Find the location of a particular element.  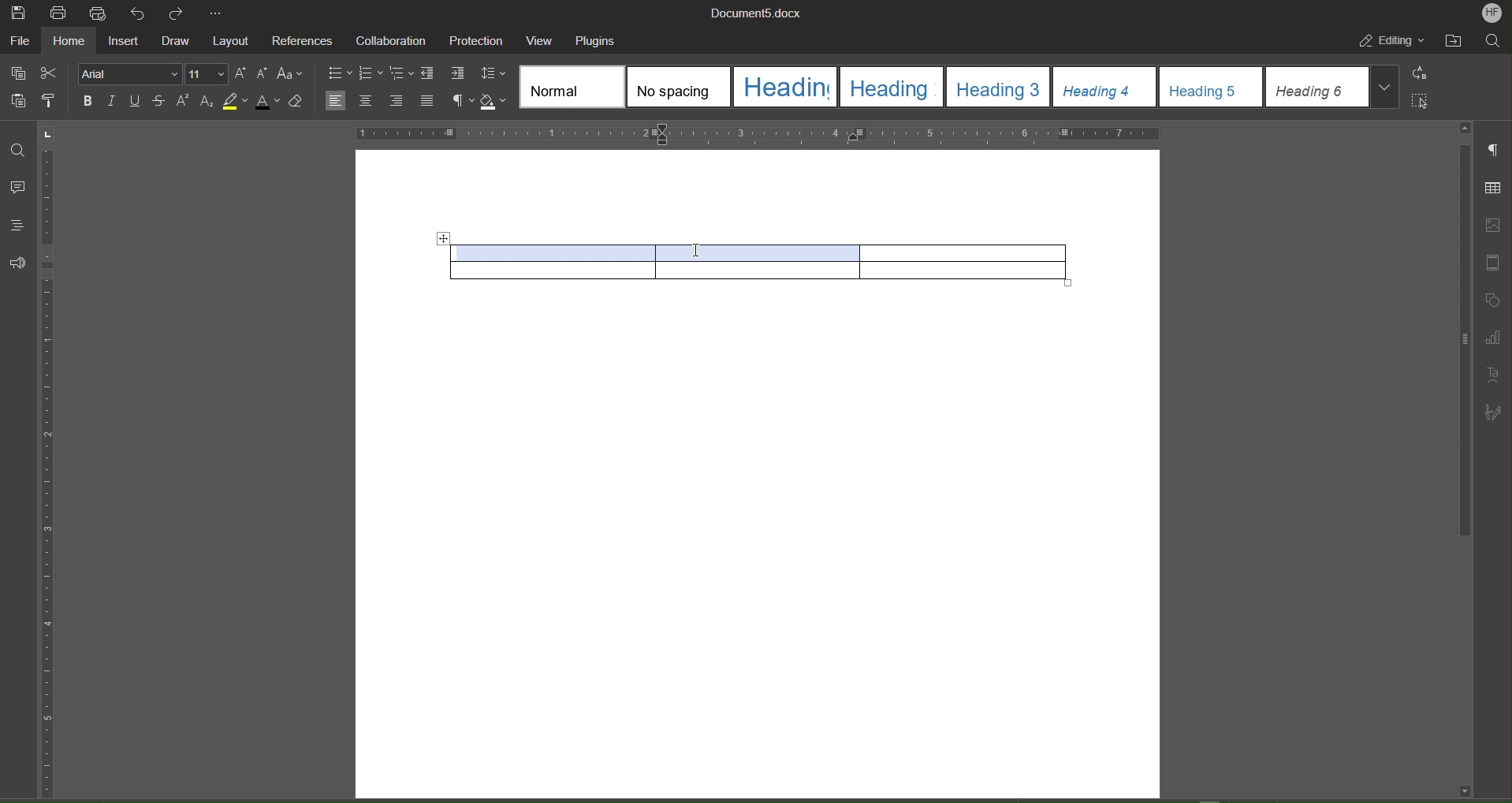

Increase Size is located at coordinates (240, 74).